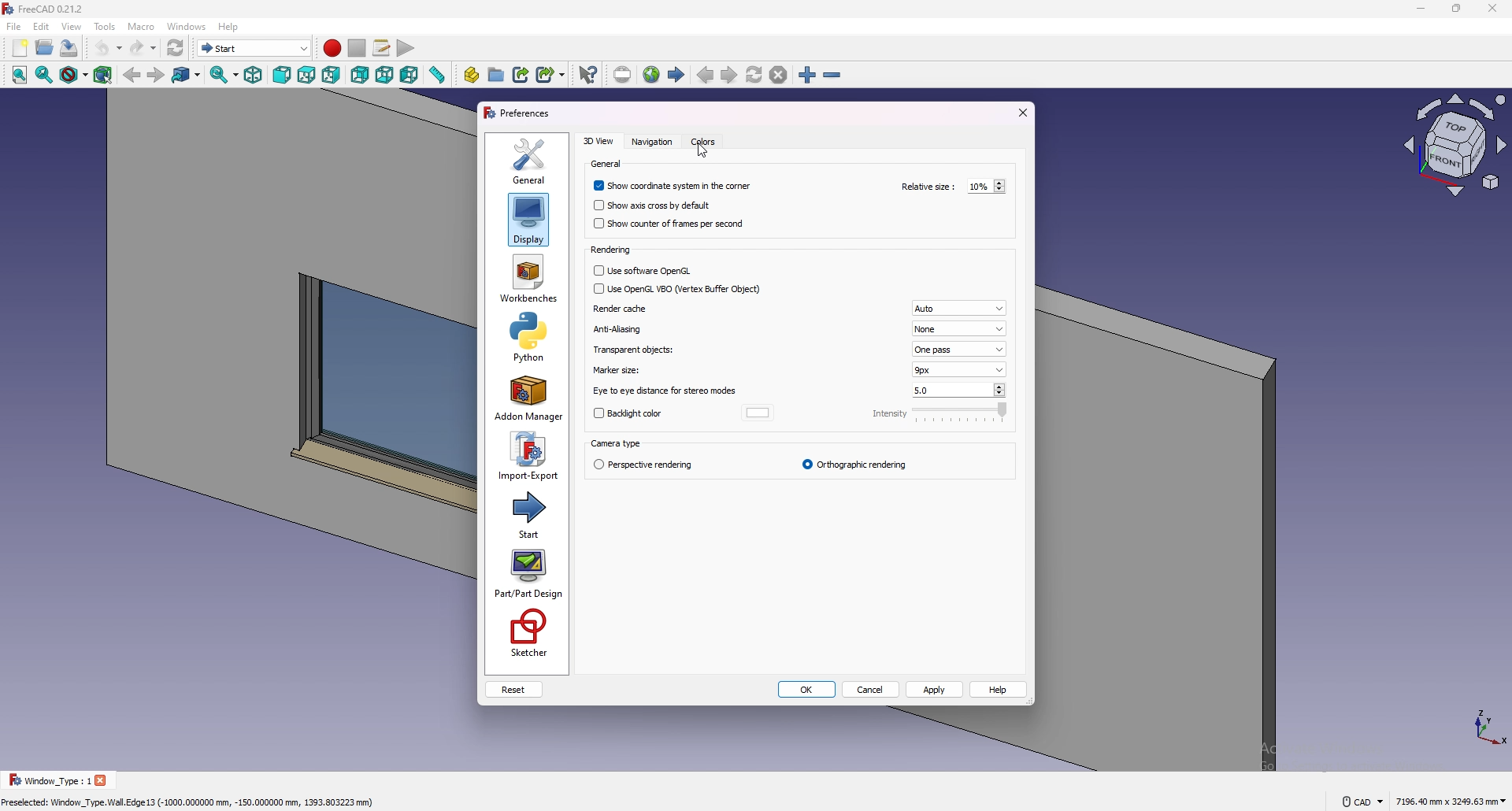 Image resolution: width=1512 pixels, height=811 pixels. Describe the element at coordinates (360, 76) in the screenshot. I see `rear` at that location.